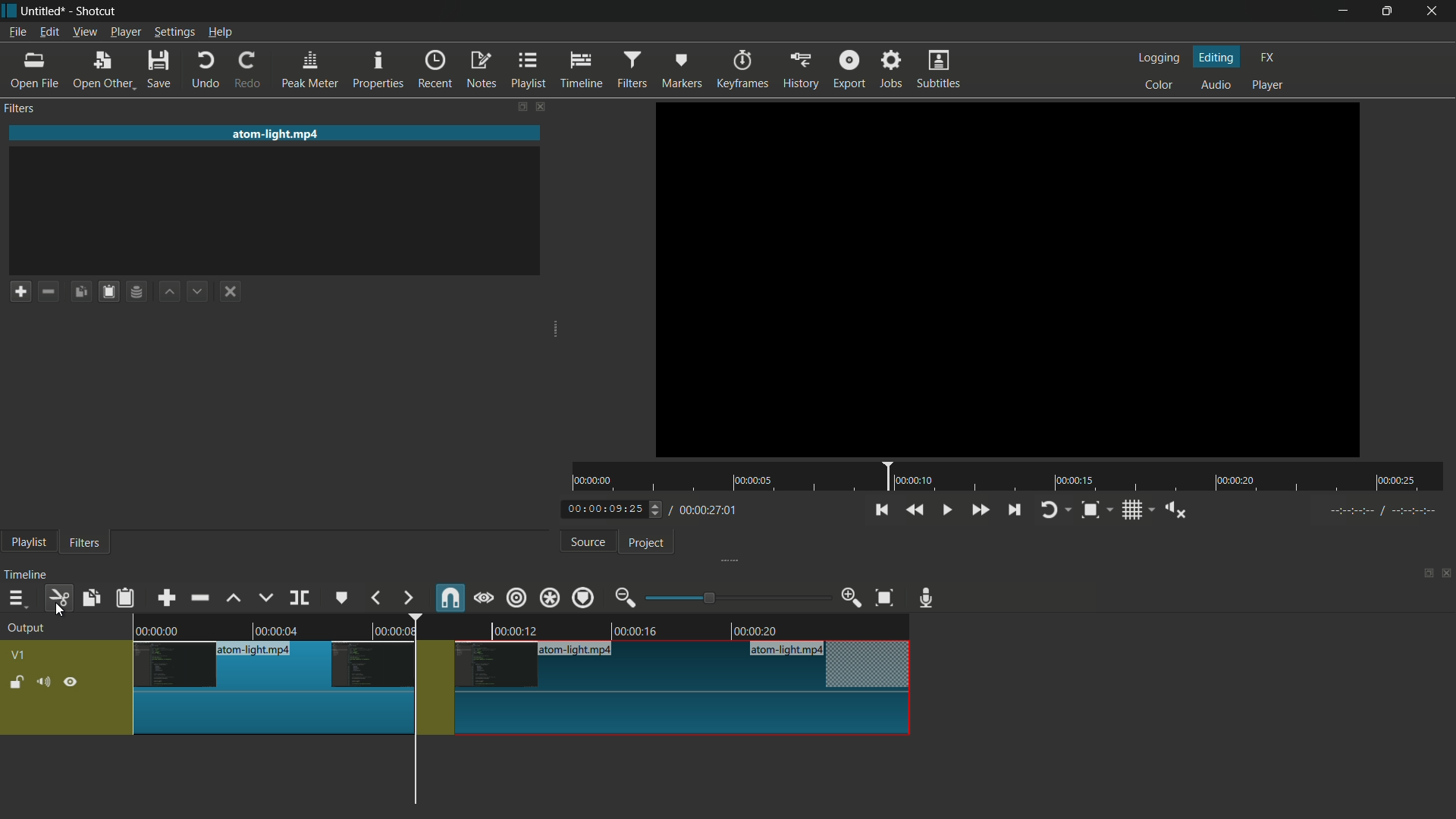 Image resolution: width=1456 pixels, height=819 pixels. Describe the element at coordinates (234, 292) in the screenshot. I see `deselect the filter` at that location.